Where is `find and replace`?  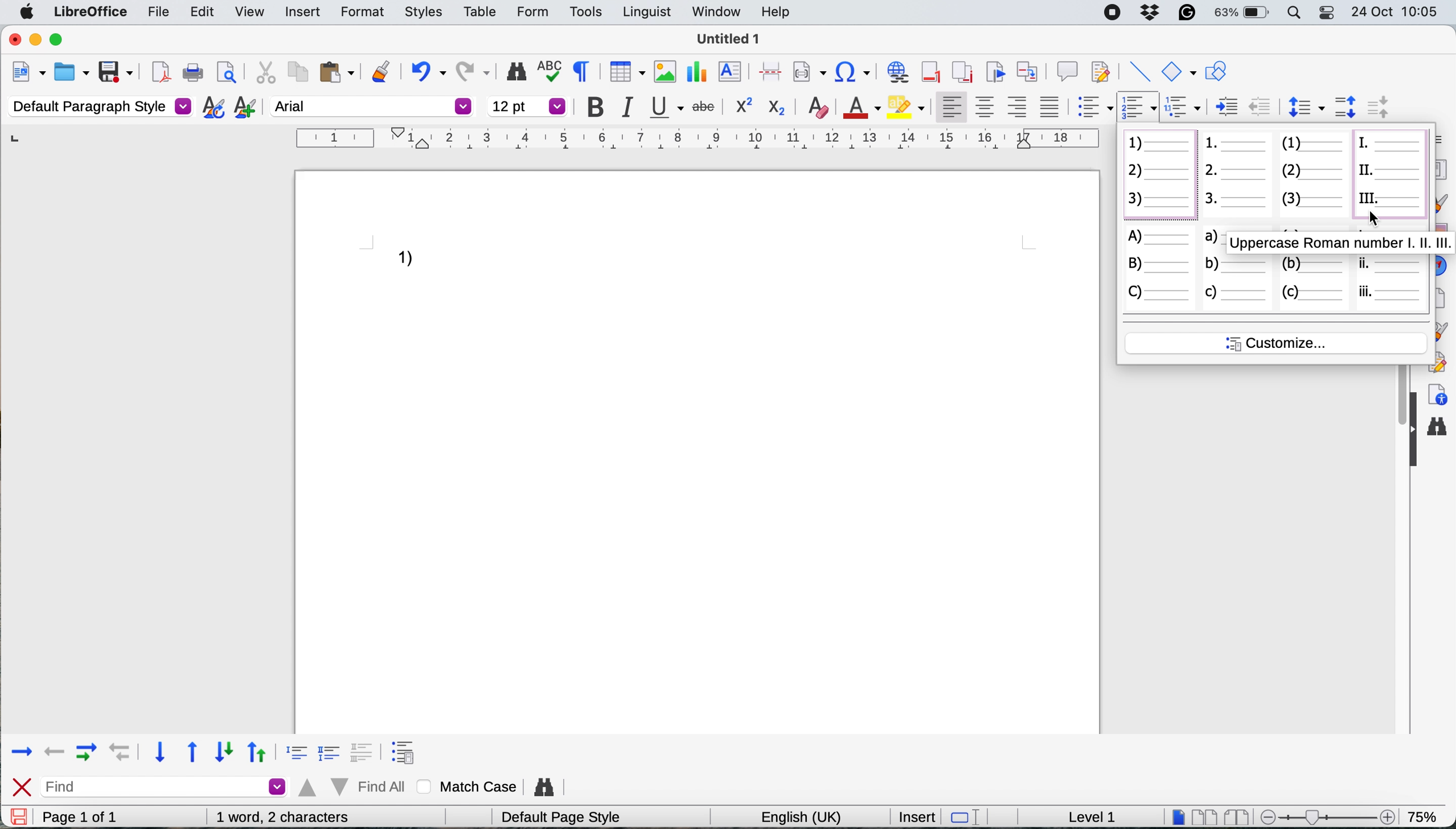 find and replace is located at coordinates (548, 784).